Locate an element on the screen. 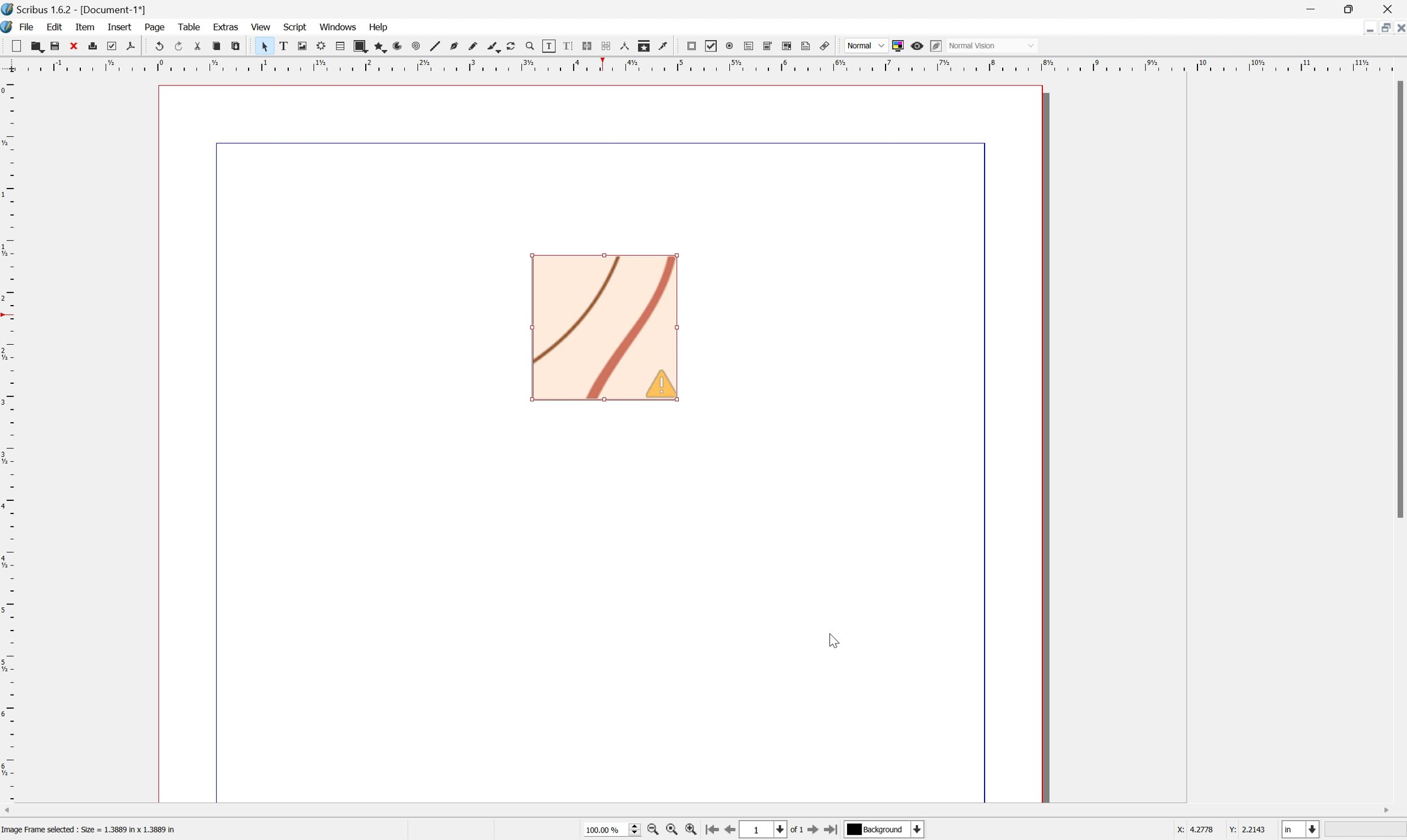  Zoom Out is located at coordinates (652, 831).